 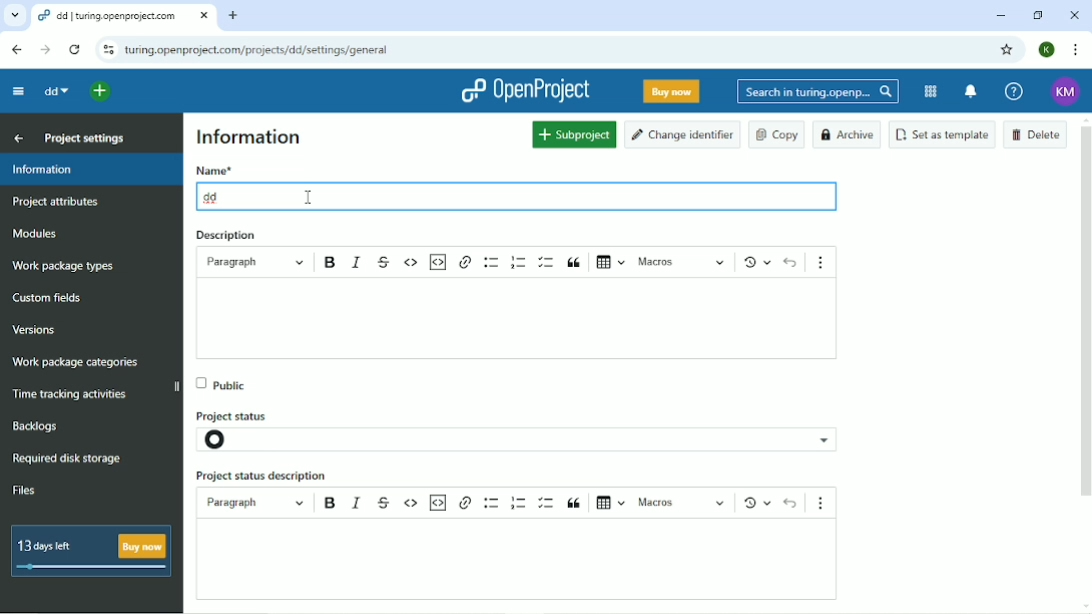 What do you see at coordinates (34, 331) in the screenshot?
I see `Versions` at bounding box center [34, 331].